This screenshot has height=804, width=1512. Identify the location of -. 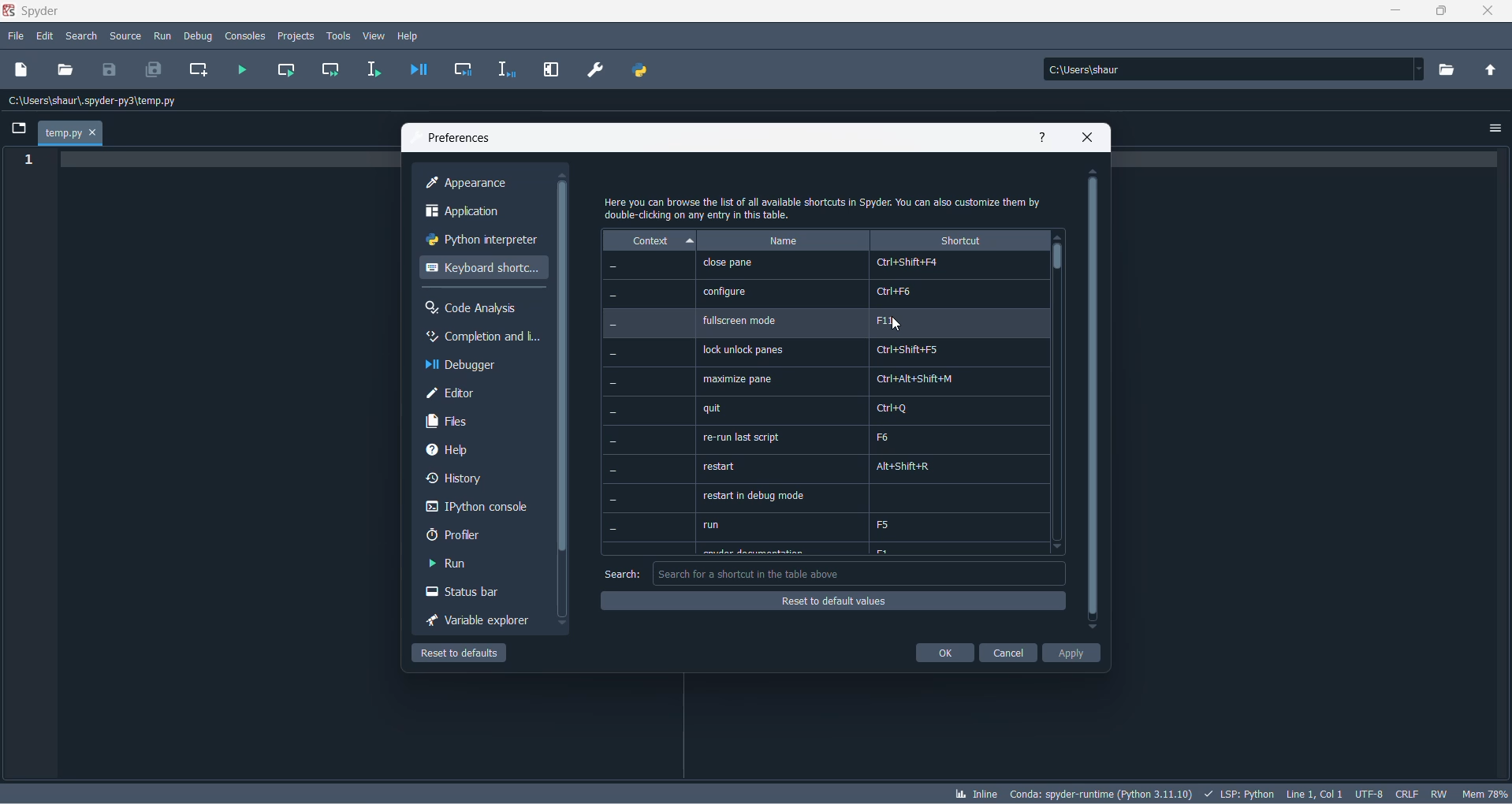
(615, 499).